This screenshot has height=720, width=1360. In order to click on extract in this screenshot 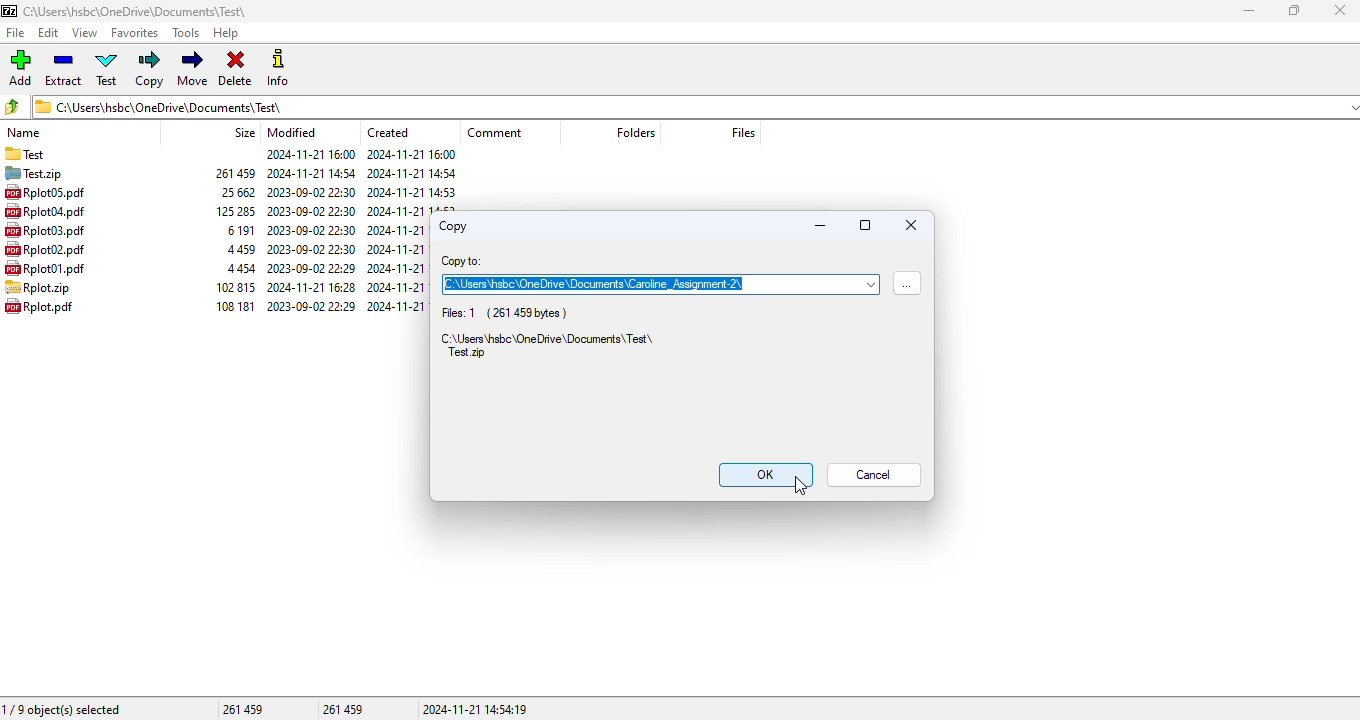, I will do `click(64, 70)`.